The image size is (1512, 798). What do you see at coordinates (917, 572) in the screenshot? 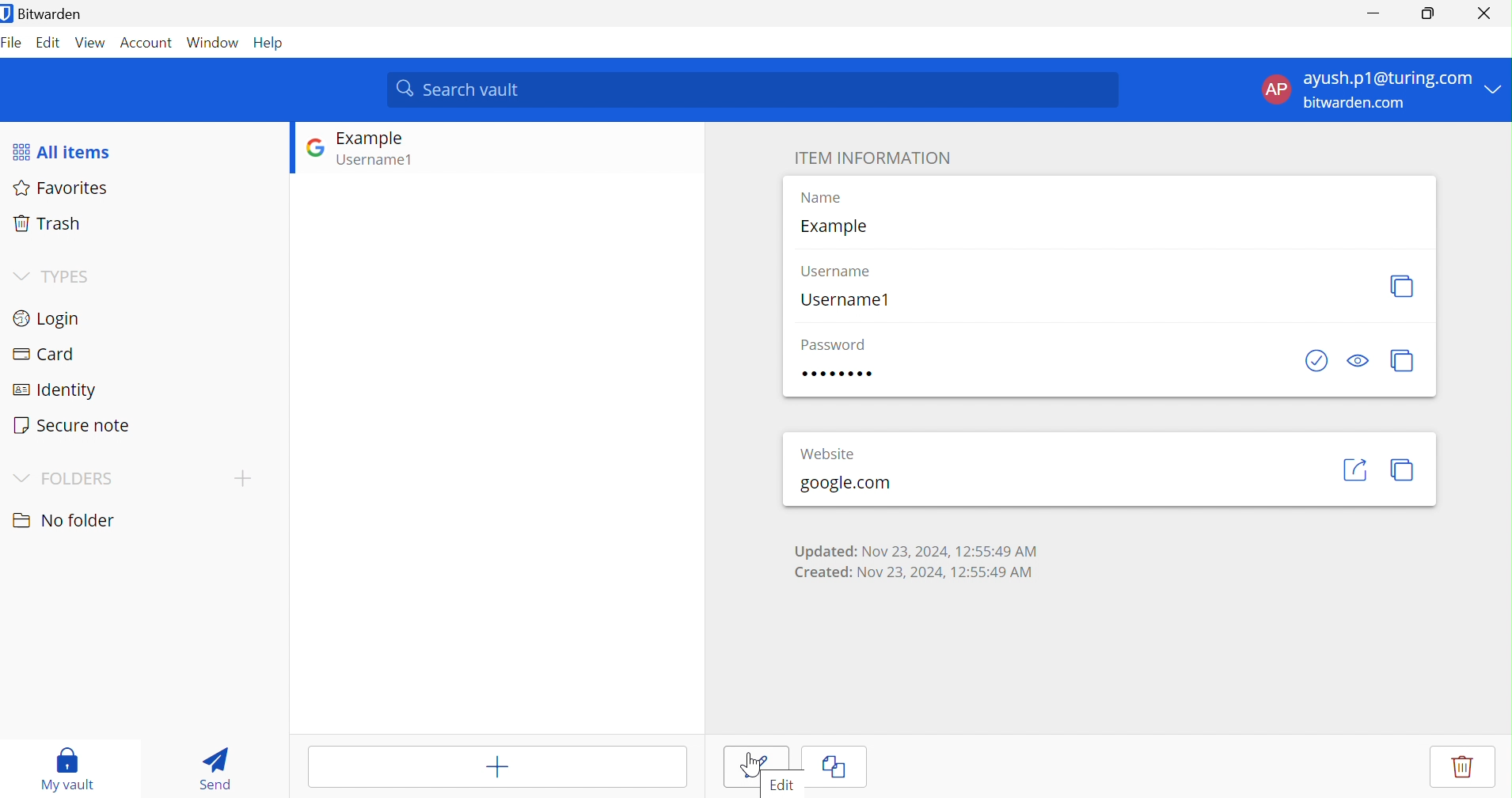
I see `Created: Nov 23, 2024, 12:55:49 AM` at bounding box center [917, 572].